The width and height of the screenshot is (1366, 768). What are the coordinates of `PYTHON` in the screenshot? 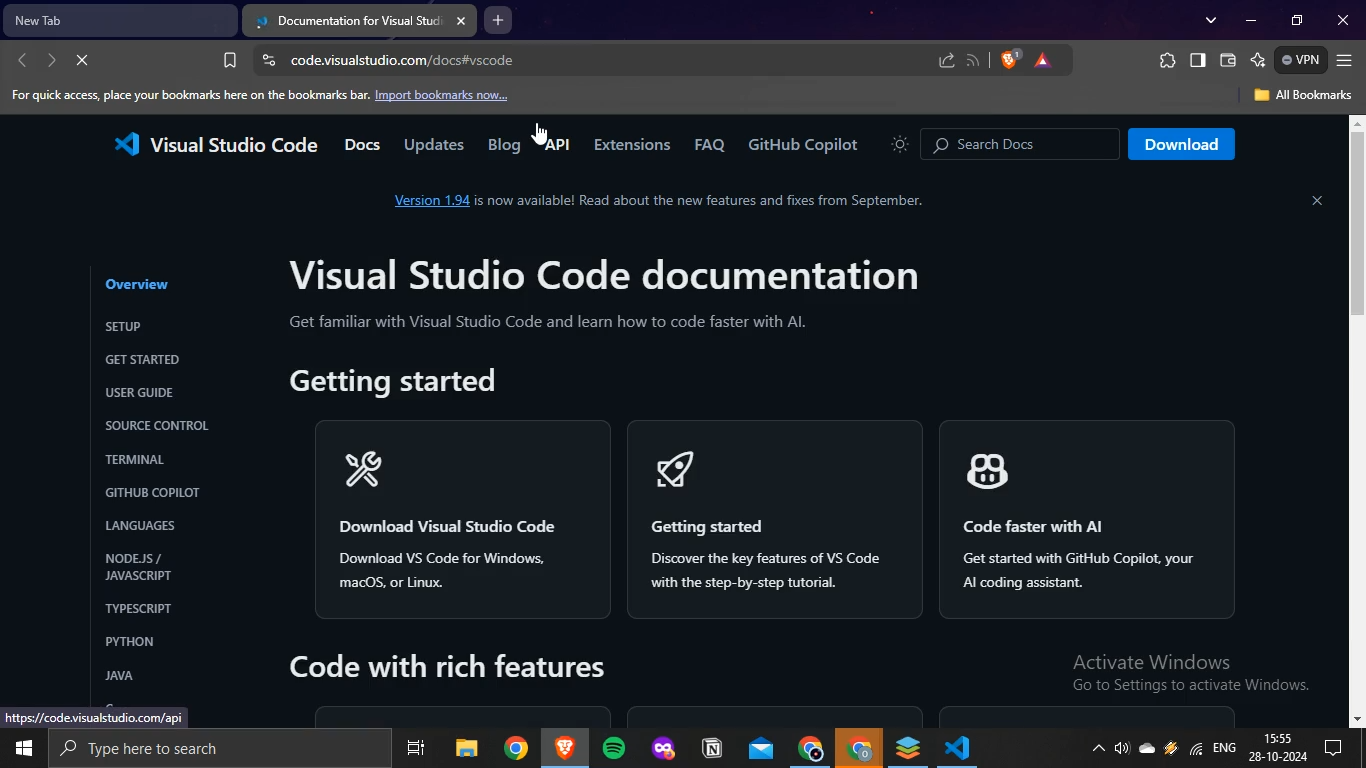 It's located at (131, 641).